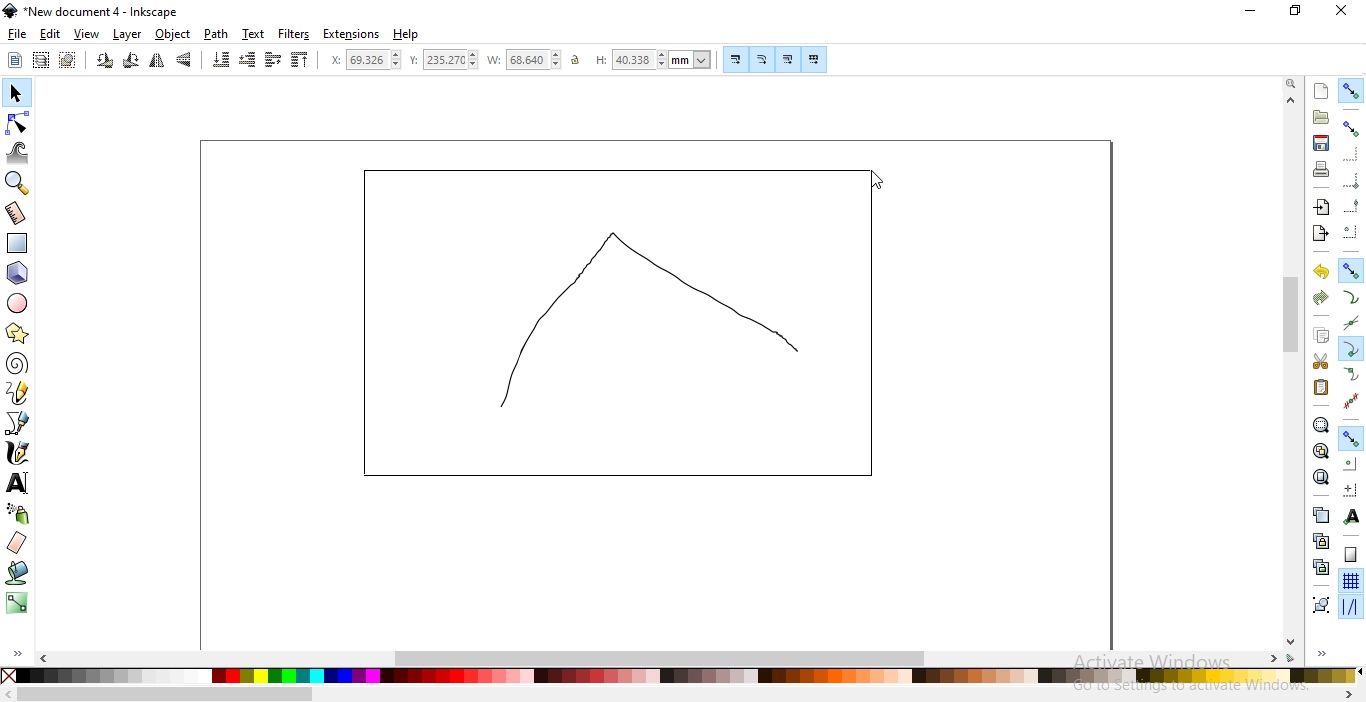 The image size is (1366, 702). I want to click on undo, so click(1320, 270).